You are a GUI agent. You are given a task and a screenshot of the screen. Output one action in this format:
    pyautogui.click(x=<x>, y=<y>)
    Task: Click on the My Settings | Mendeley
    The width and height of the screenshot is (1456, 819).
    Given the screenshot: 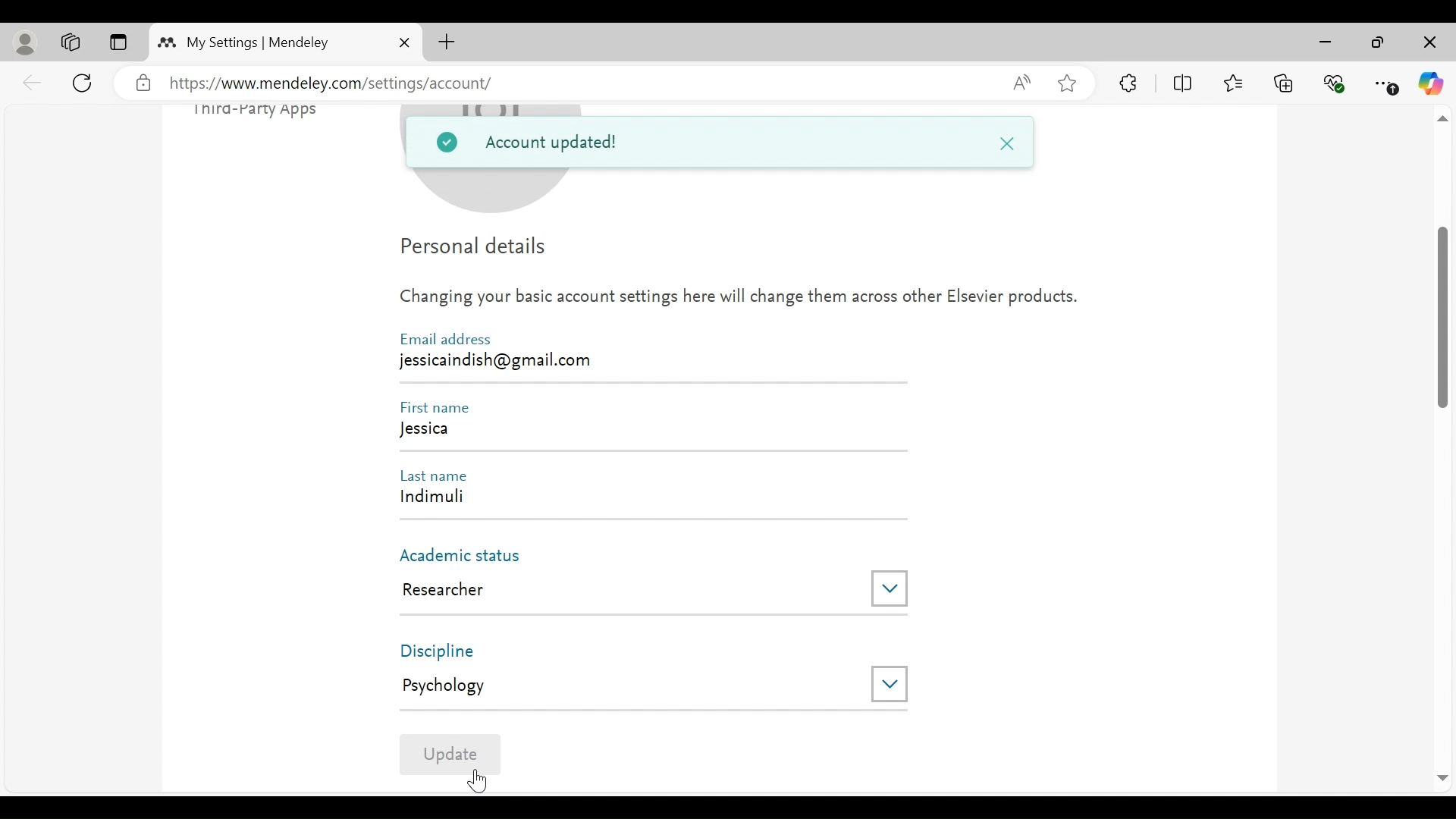 What is the action you would take?
    pyautogui.click(x=258, y=42)
    